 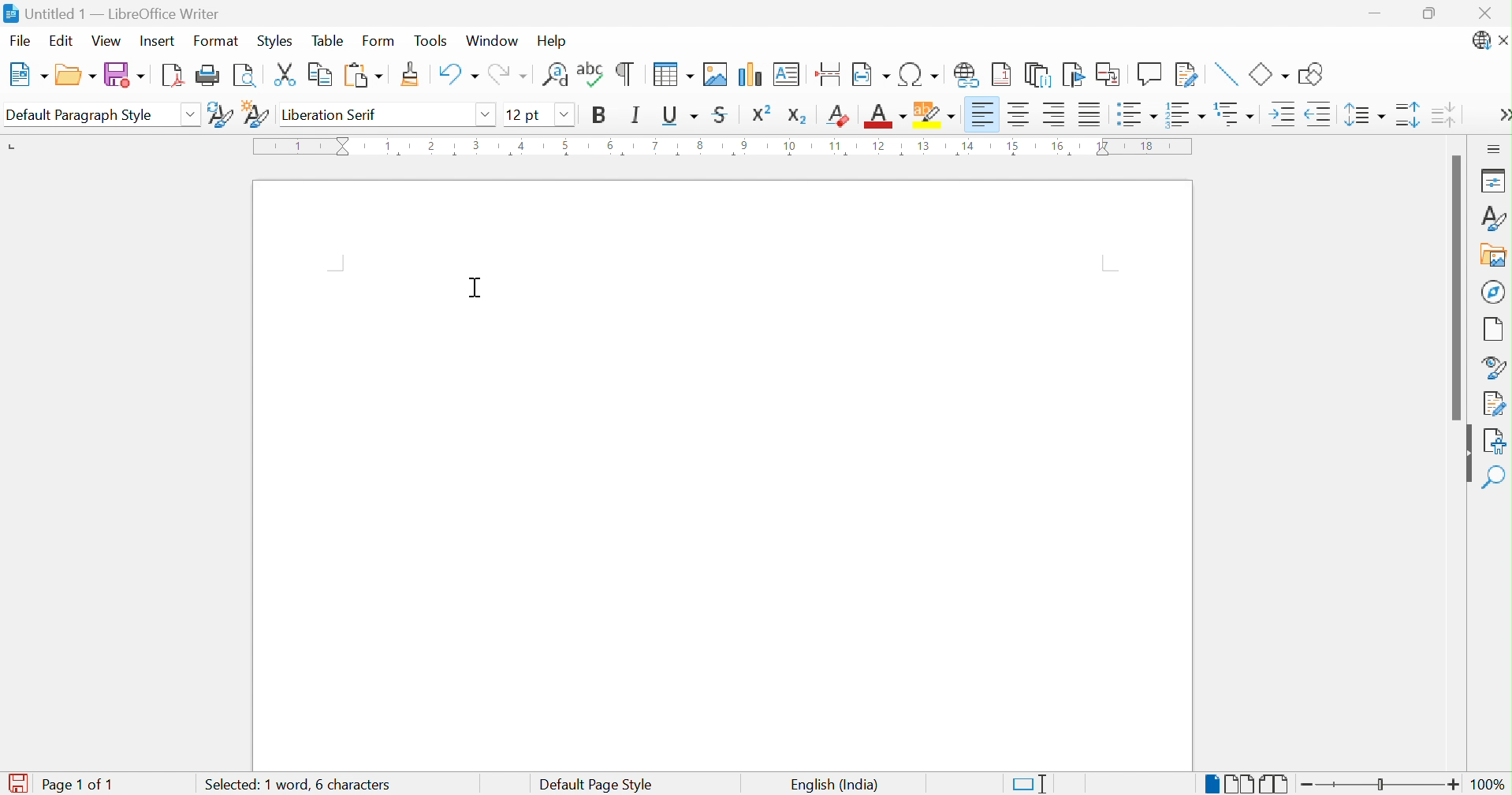 I want to click on Form, so click(x=378, y=42).